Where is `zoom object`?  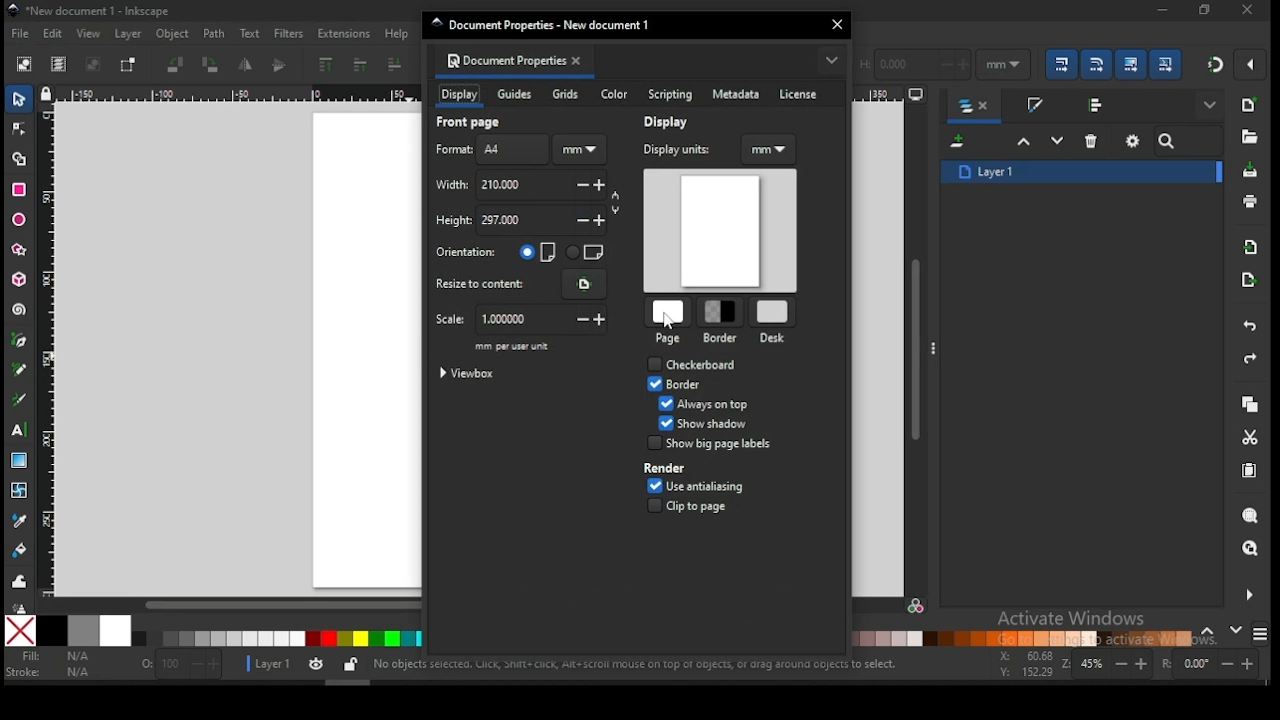 zoom object is located at coordinates (1250, 516).